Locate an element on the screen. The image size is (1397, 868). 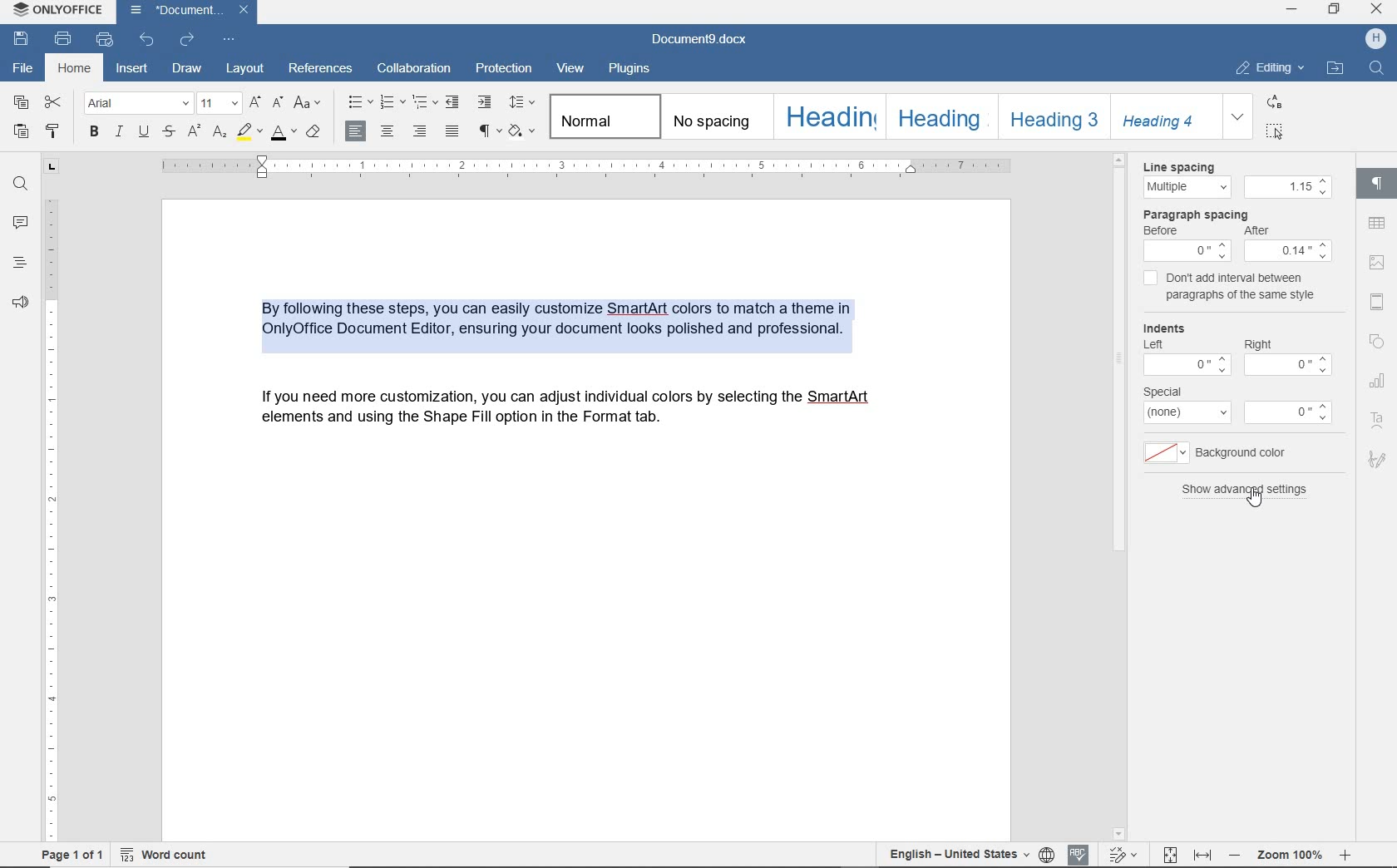
insert is located at coordinates (133, 69).